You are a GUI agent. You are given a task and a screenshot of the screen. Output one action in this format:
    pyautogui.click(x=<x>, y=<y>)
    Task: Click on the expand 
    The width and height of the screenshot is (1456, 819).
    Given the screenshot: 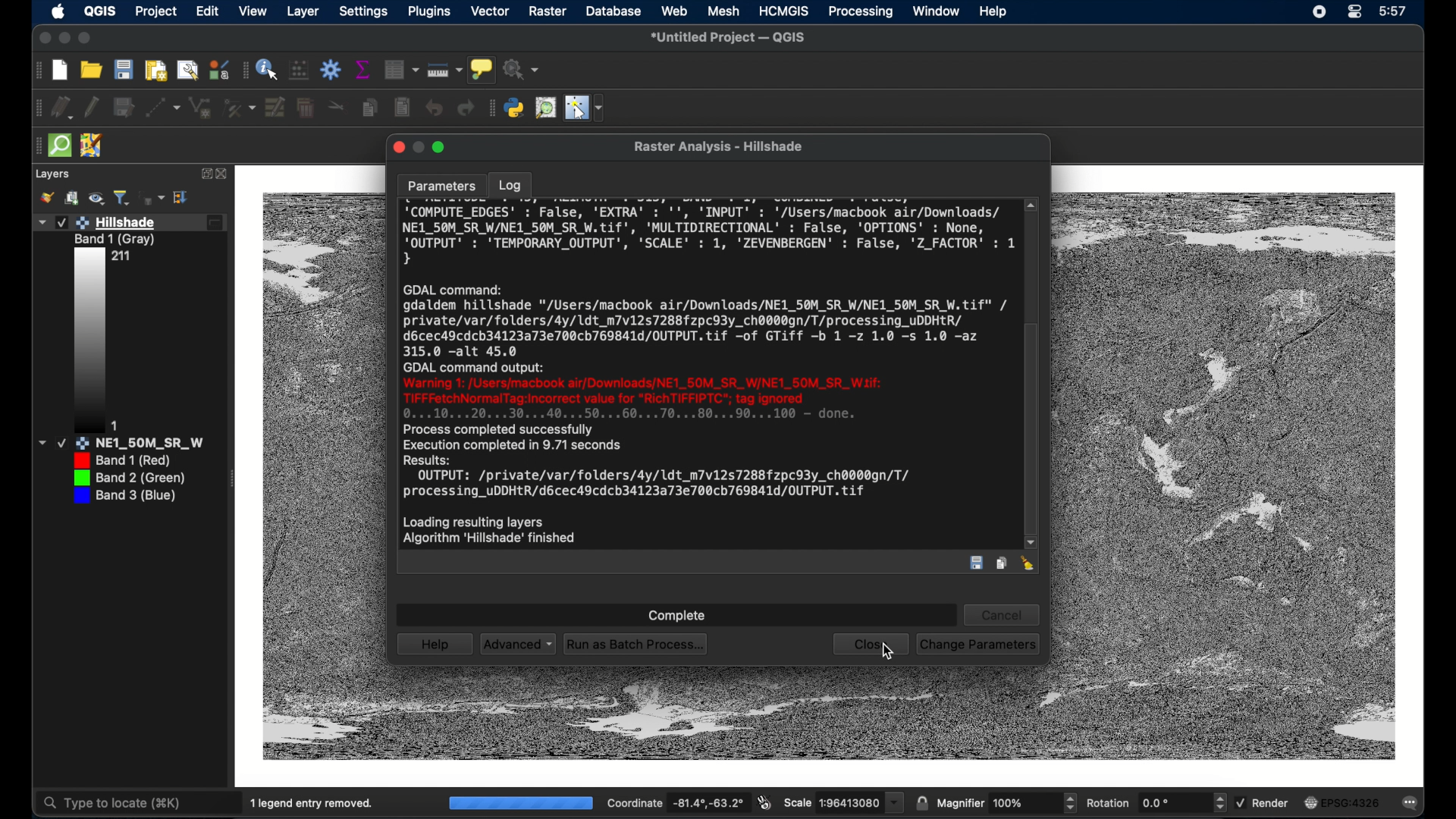 What is the action you would take?
    pyautogui.click(x=205, y=174)
    